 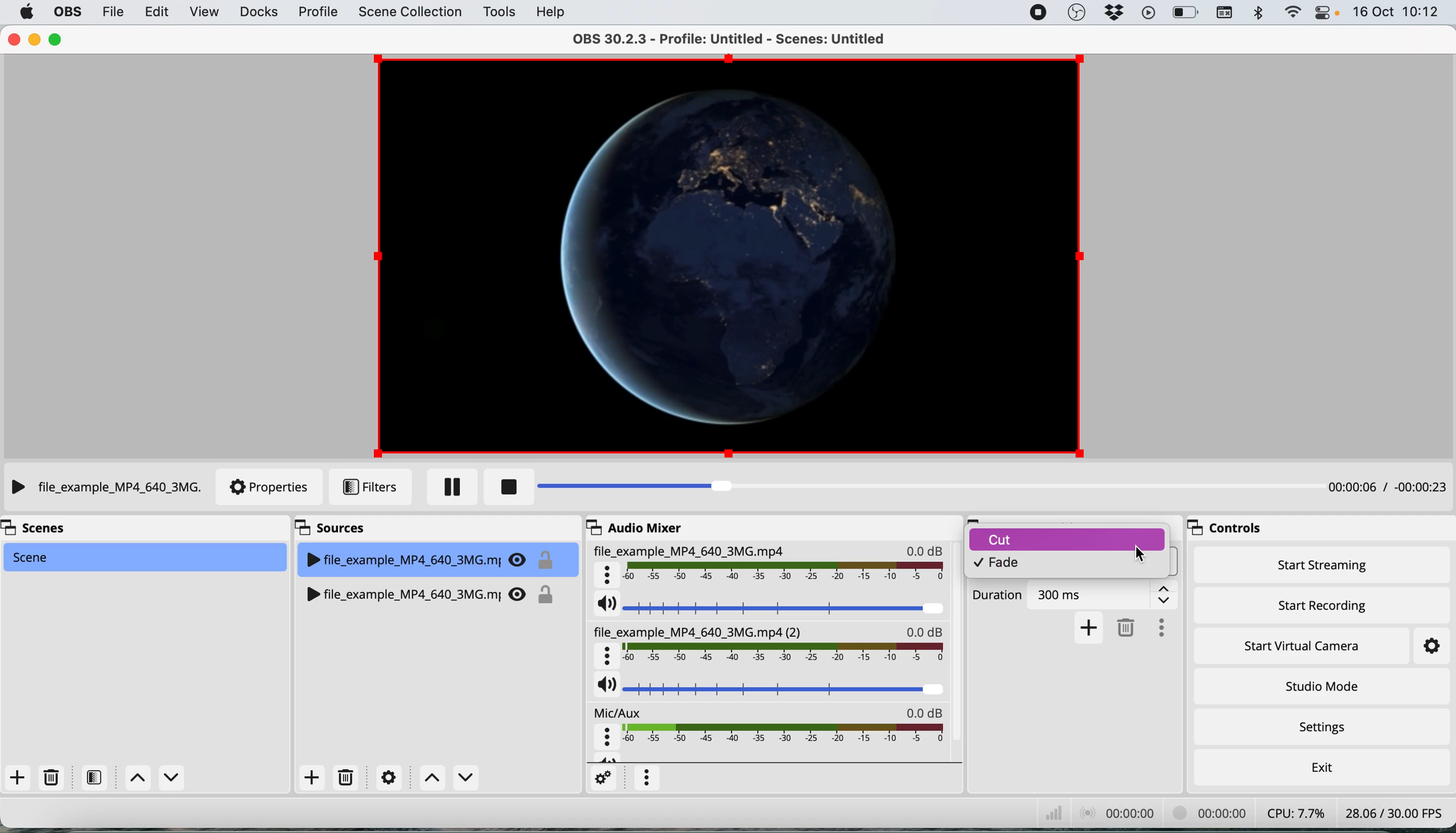 I want to click on docks, so click(x=261, y=12).